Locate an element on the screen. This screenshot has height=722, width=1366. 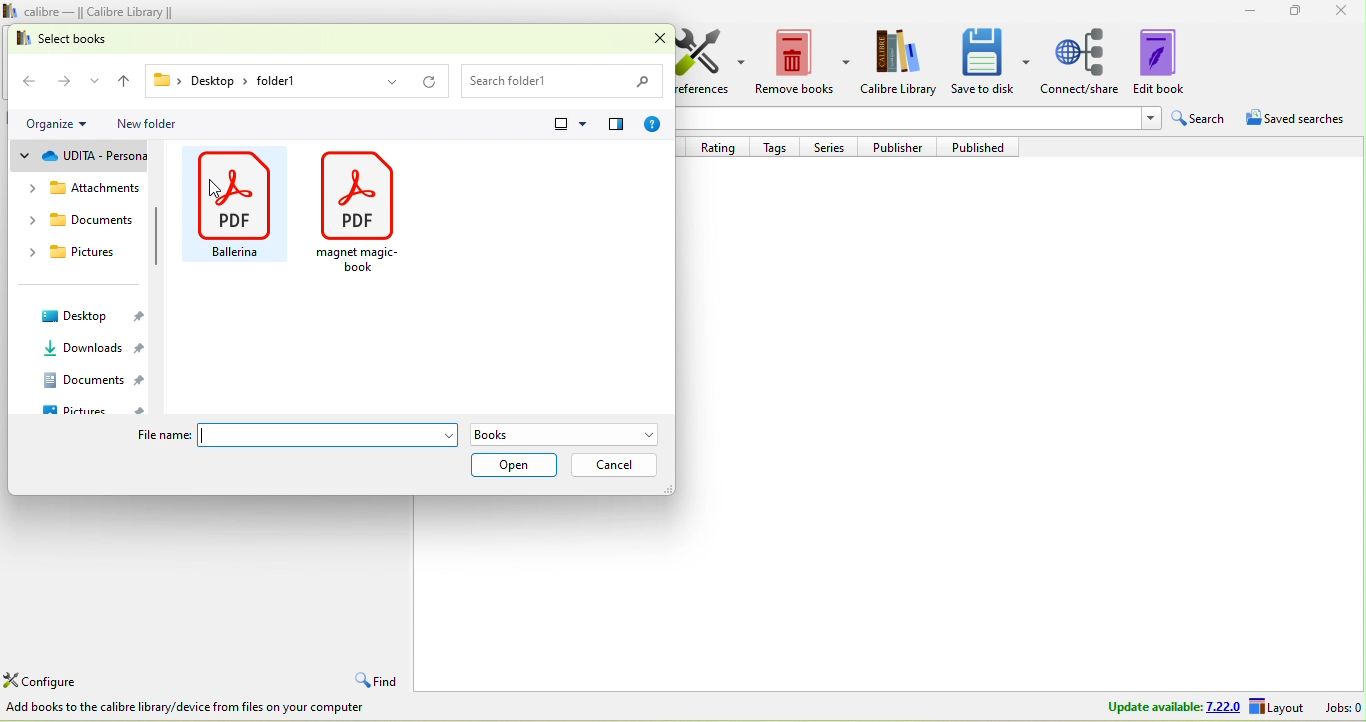
back to the pc is located at coordinates (31, 77).